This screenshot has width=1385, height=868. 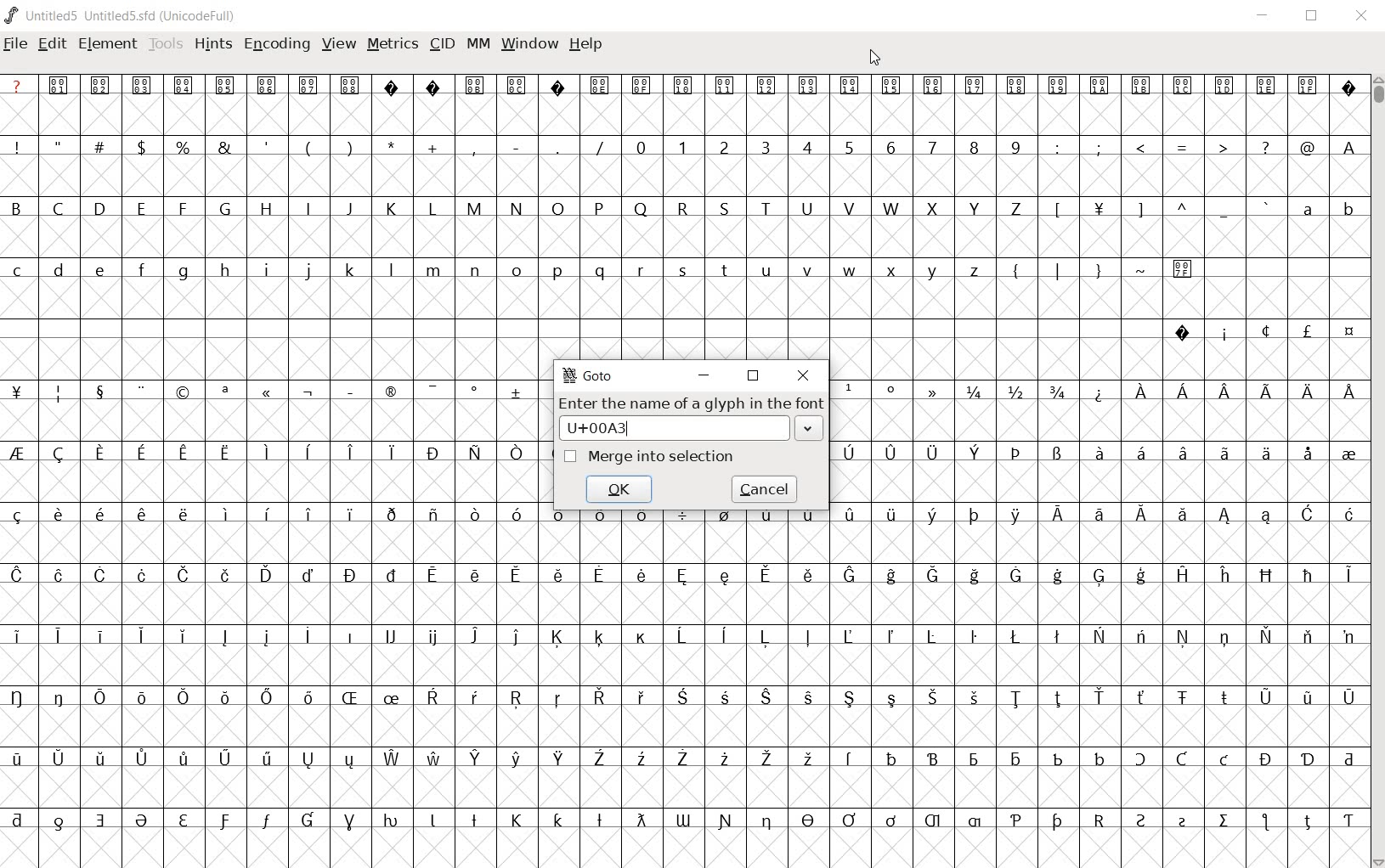 What do you see at coordinates (432, 208) in the screenshot?
I see `L` at bounding box center [432, 208].